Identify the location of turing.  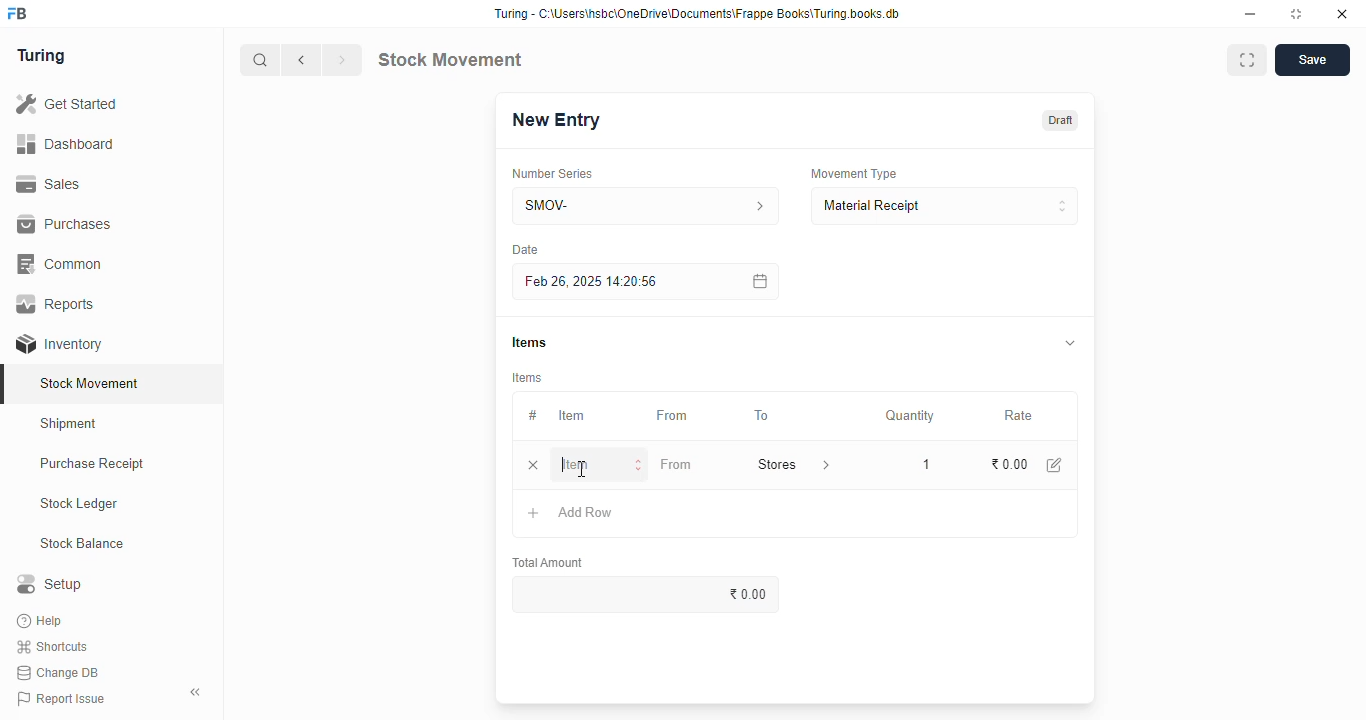
(42, 56).